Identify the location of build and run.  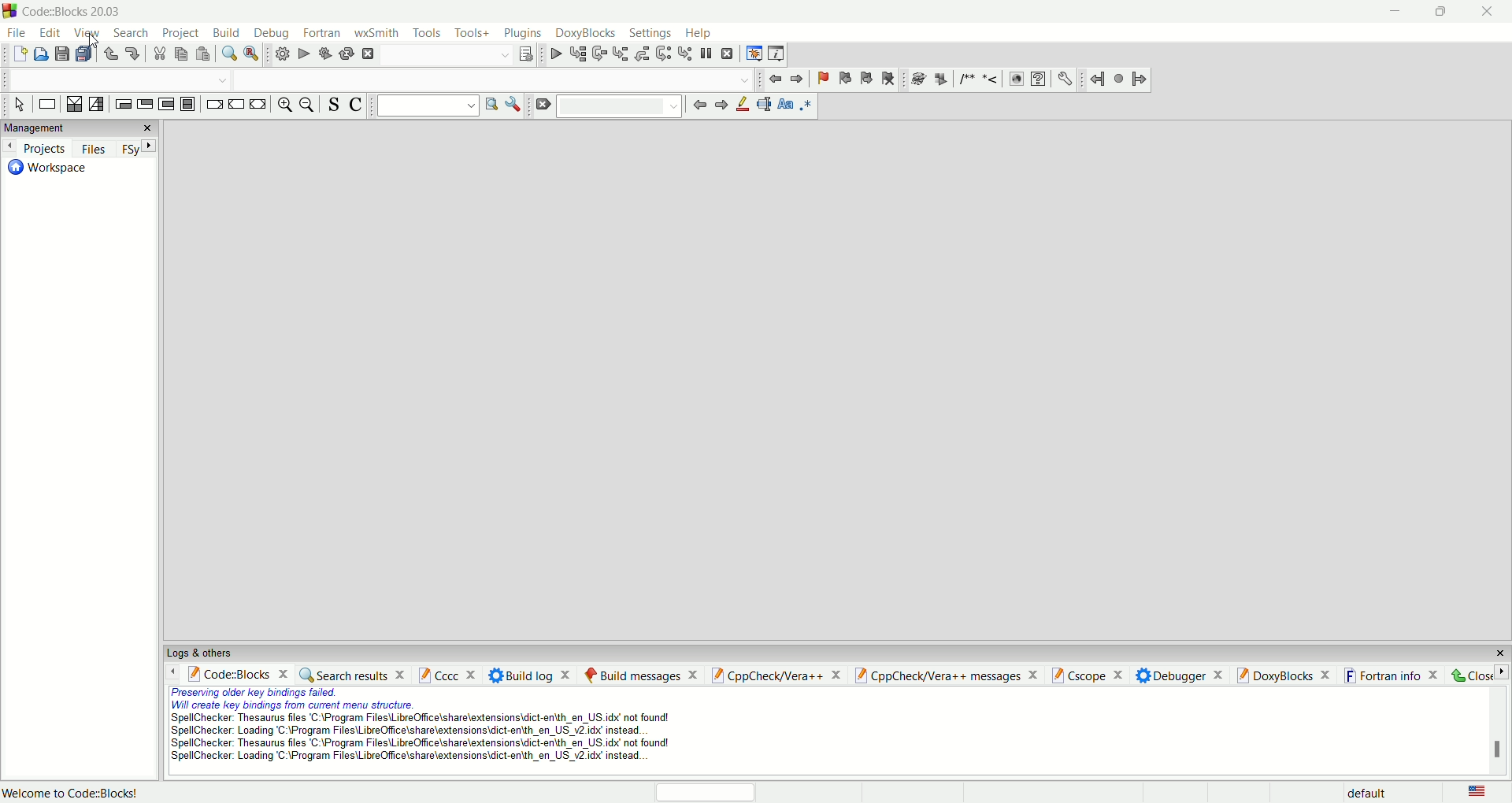
(346, 54).